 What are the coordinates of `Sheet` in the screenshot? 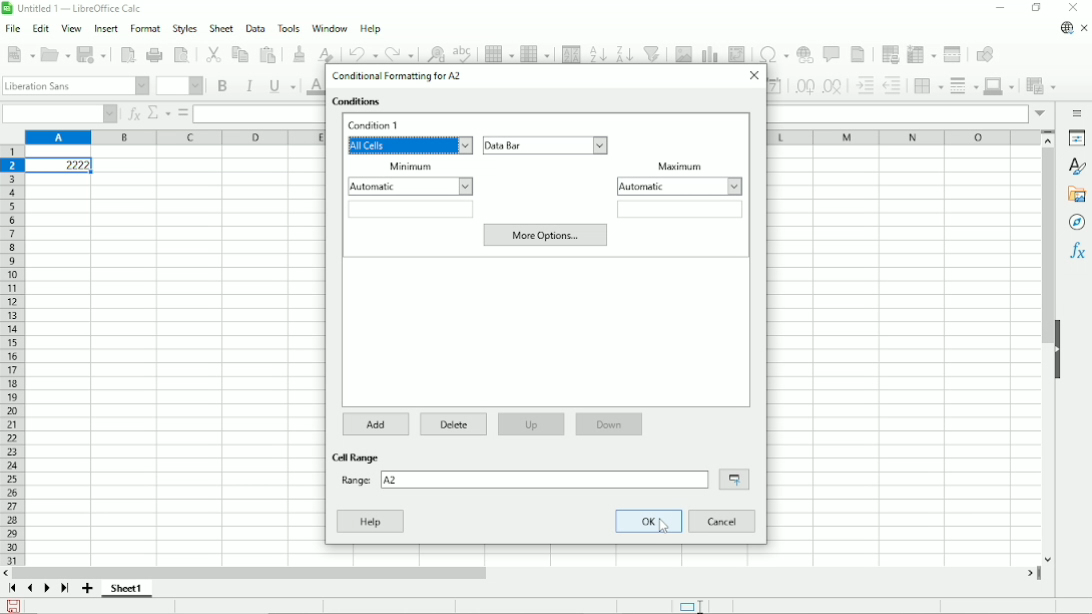 It's located at (221, 28).